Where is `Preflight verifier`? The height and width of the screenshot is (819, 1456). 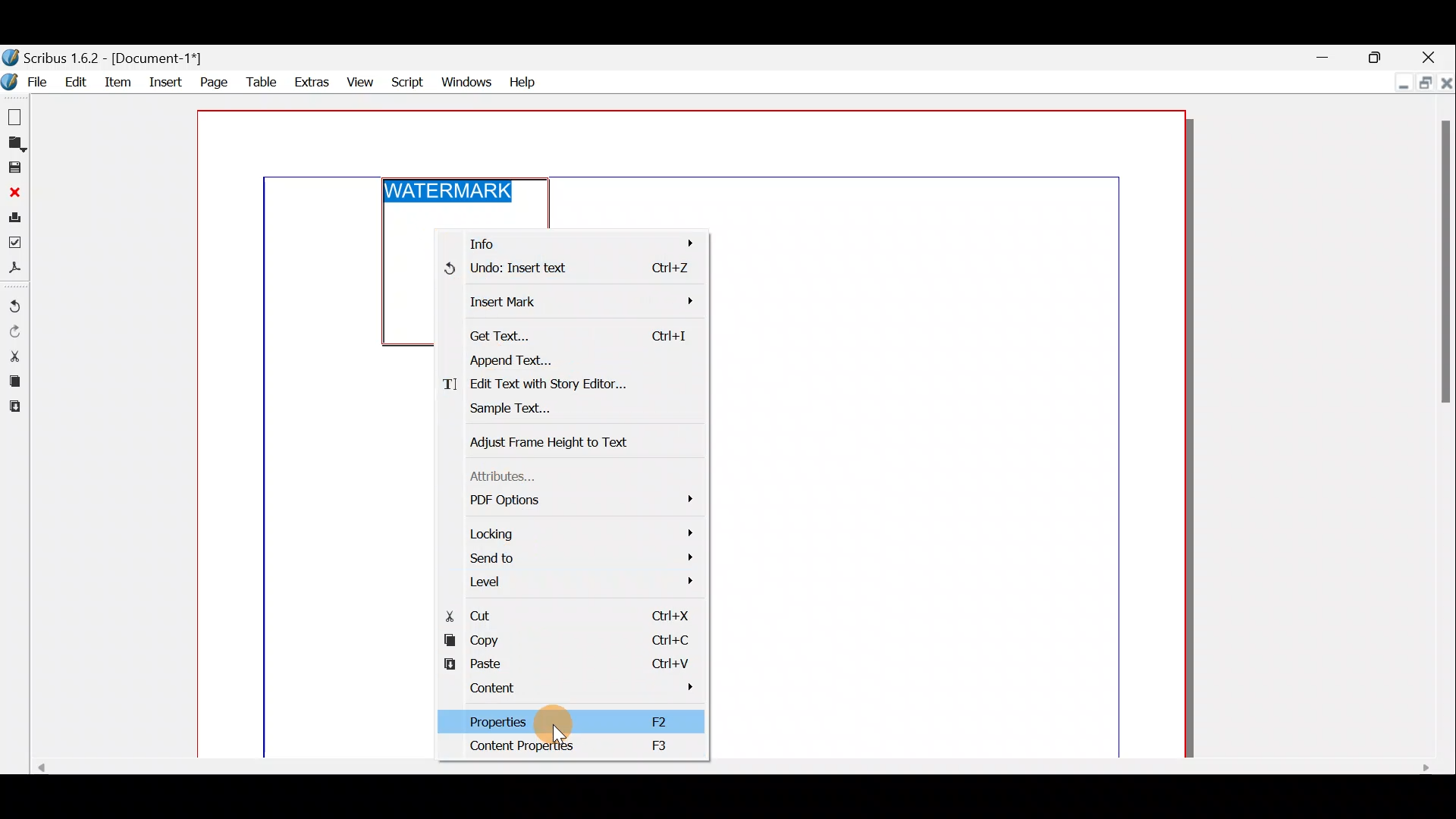
Preflight verifier is located at coordinates (15, 246).